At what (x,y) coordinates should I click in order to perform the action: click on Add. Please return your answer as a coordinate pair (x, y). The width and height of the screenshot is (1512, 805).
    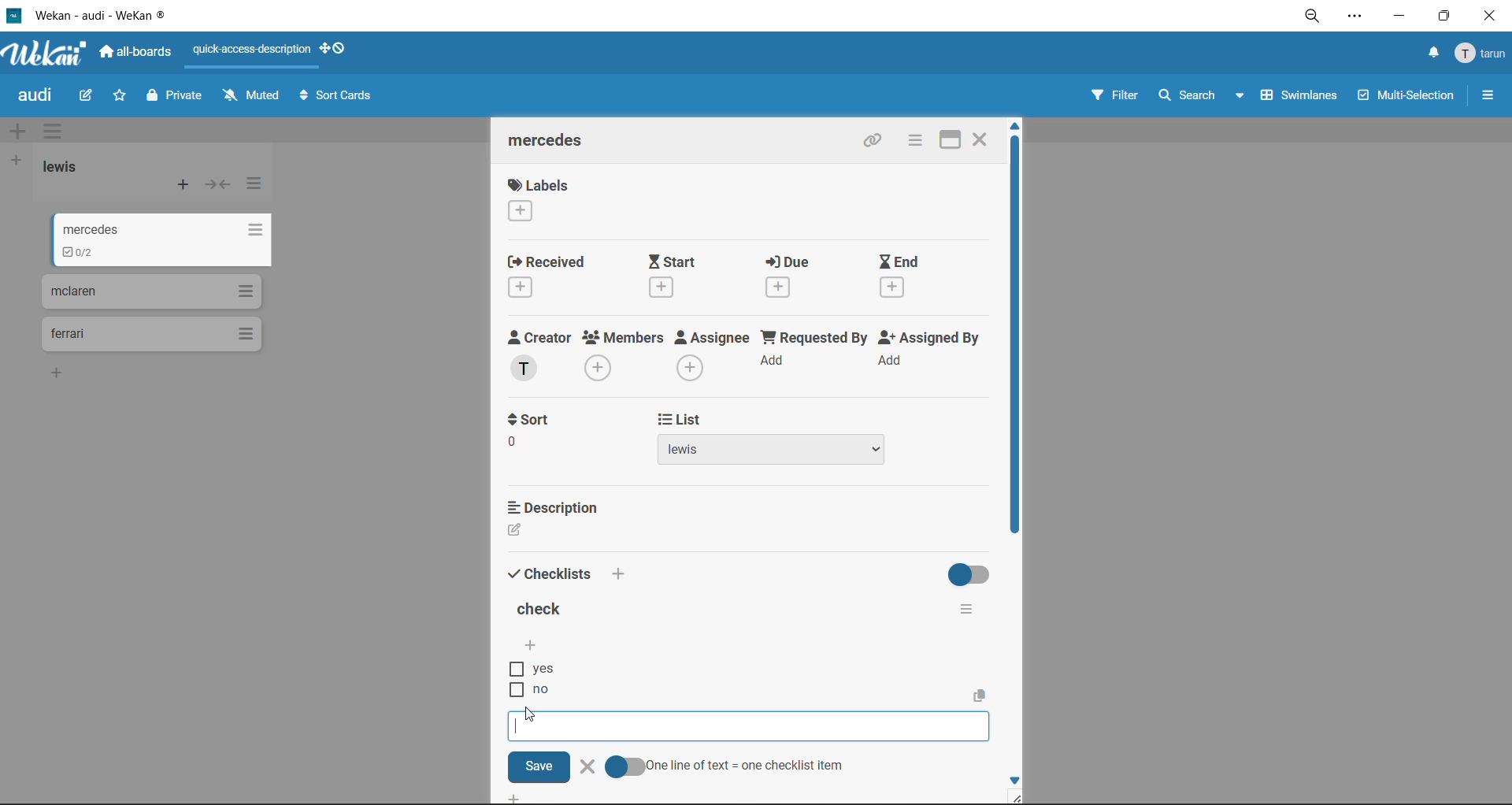
    Looking at the image, I should click on (895, 359).